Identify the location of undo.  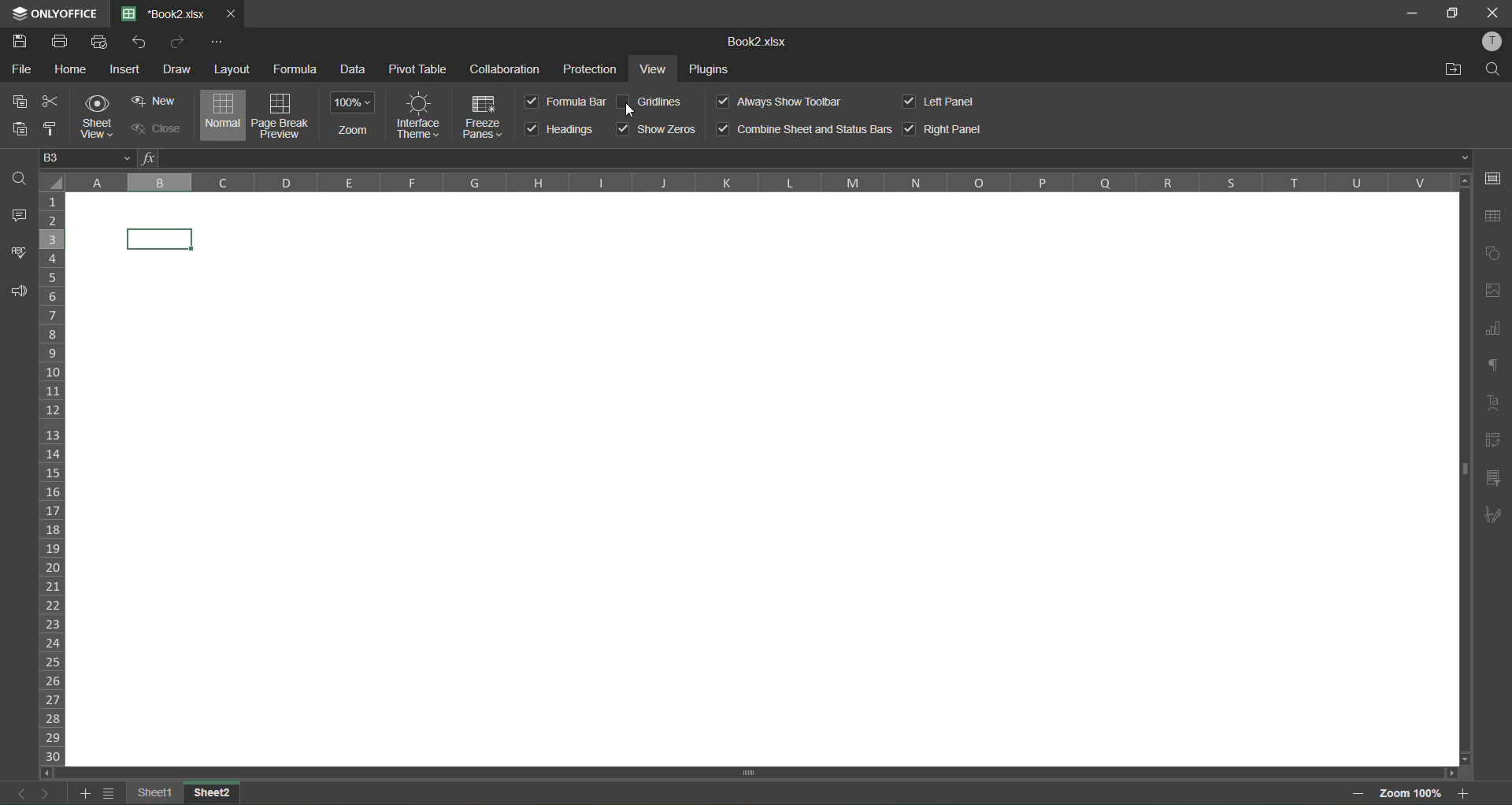
(143, 43).